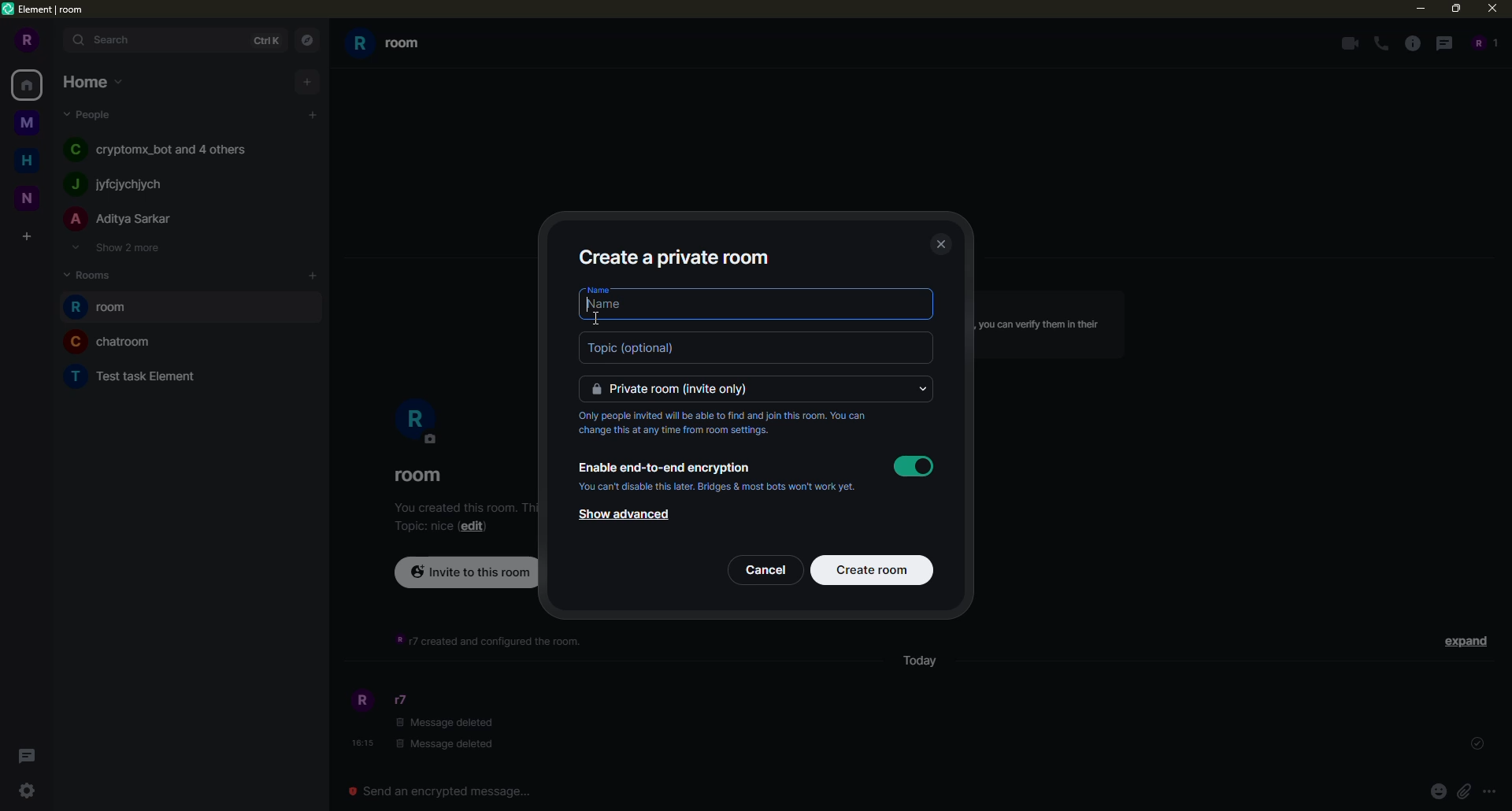 This screenshot has width=1512, height=811. I want to click on info, so click(490, 641).